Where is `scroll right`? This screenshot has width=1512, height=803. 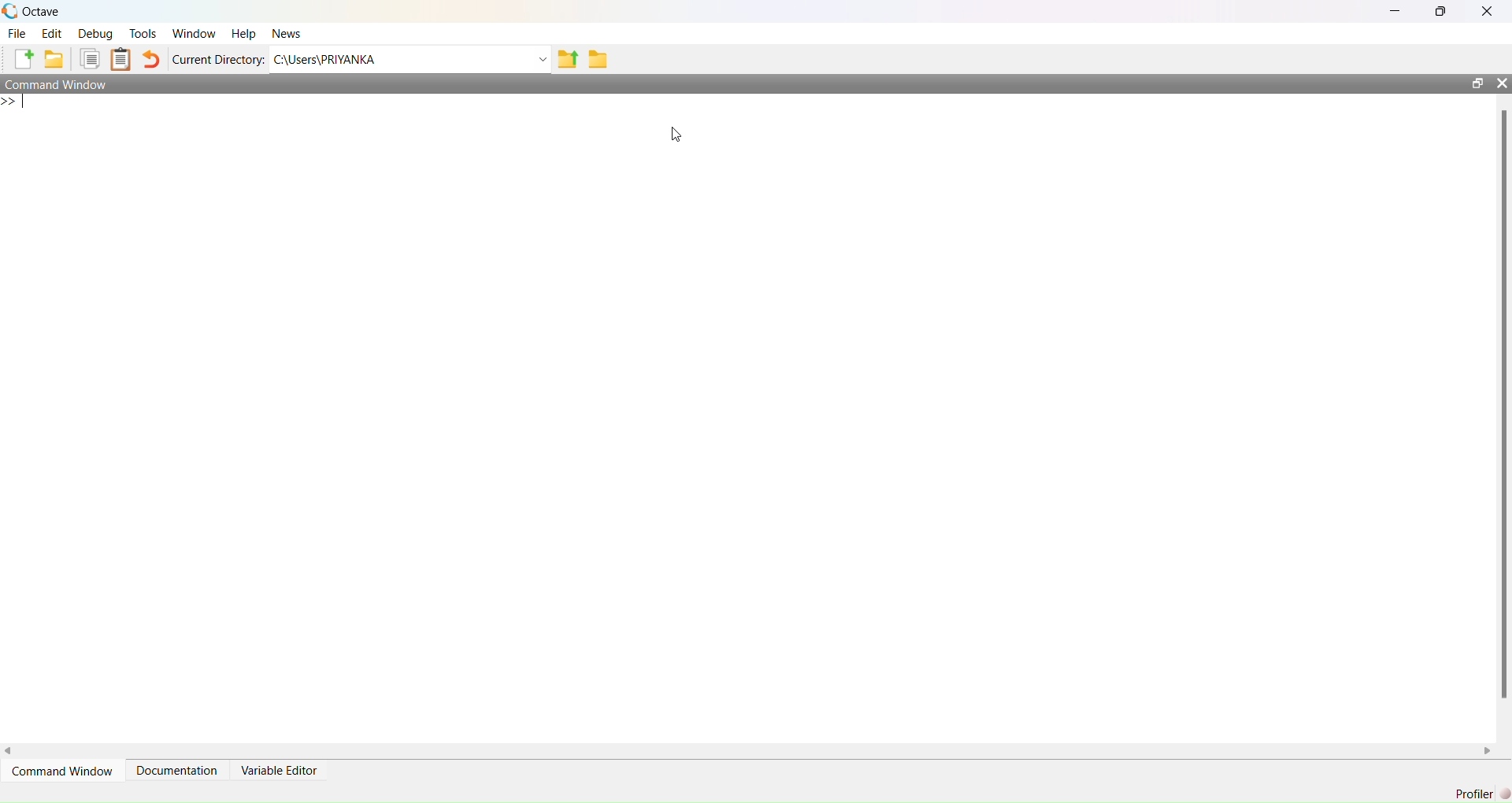 scroll right is located at coordinates (1488, 750).